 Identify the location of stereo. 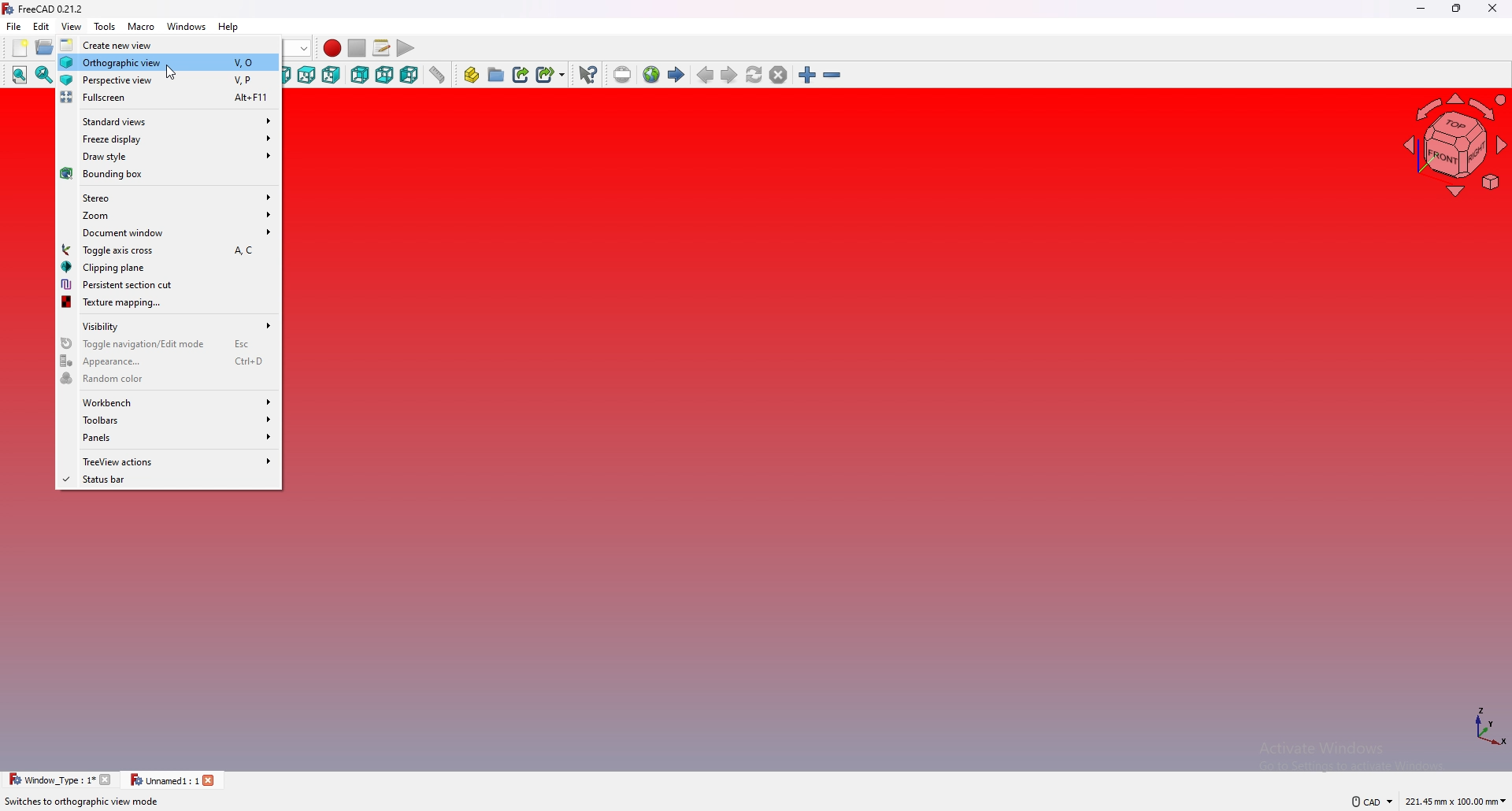
(169, 198).